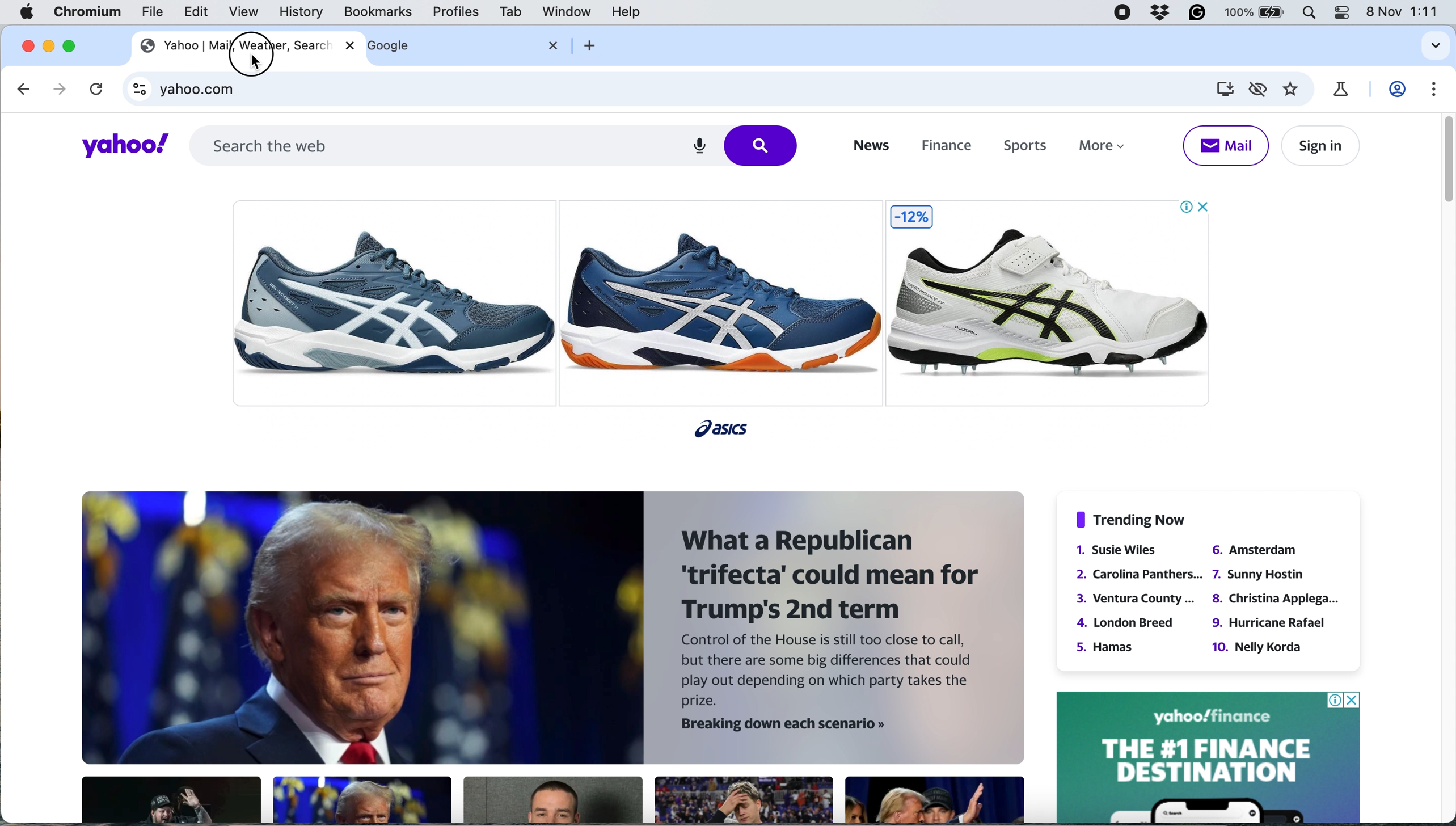  What do you see at coordinates (678, 90) in the screenshot?
I see `yahoo.com` at bounding box center [678, 90].